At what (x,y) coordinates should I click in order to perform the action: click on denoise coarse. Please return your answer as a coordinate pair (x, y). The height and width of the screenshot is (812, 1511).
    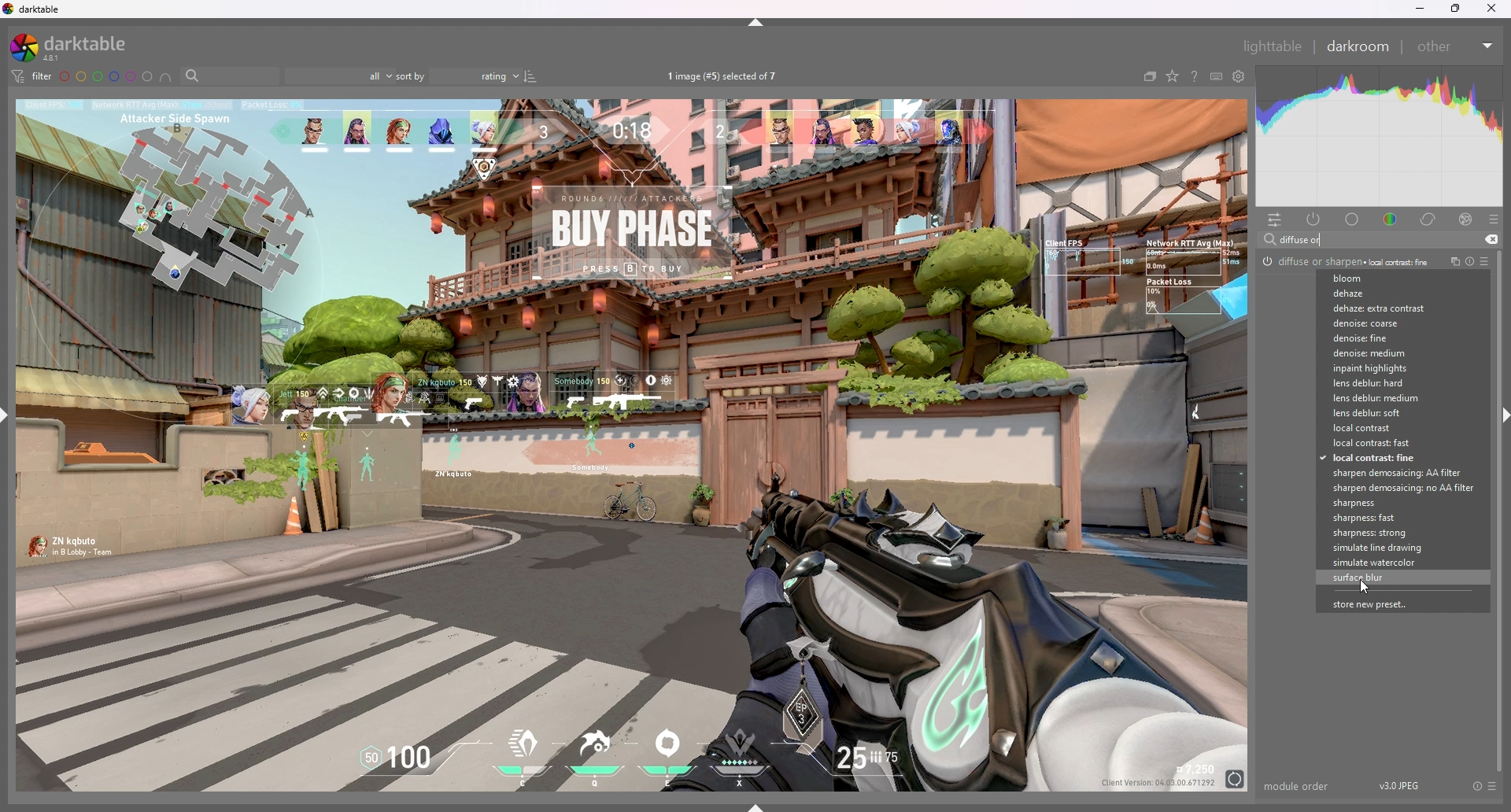
    Looking at the image, I should click on (1389, 323).